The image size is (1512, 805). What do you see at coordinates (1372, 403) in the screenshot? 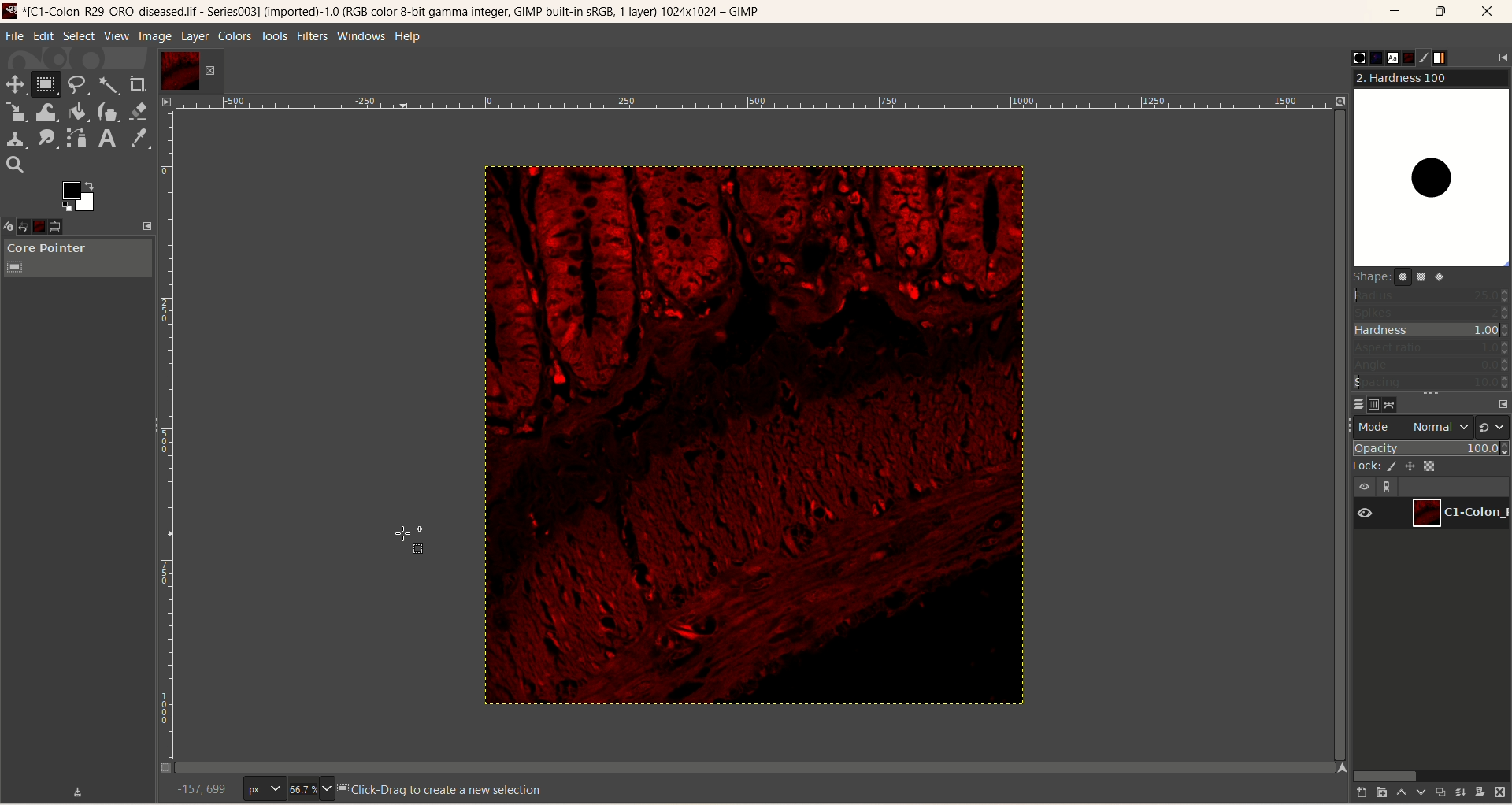
I see `channels` at bounding box center [1372, 403].